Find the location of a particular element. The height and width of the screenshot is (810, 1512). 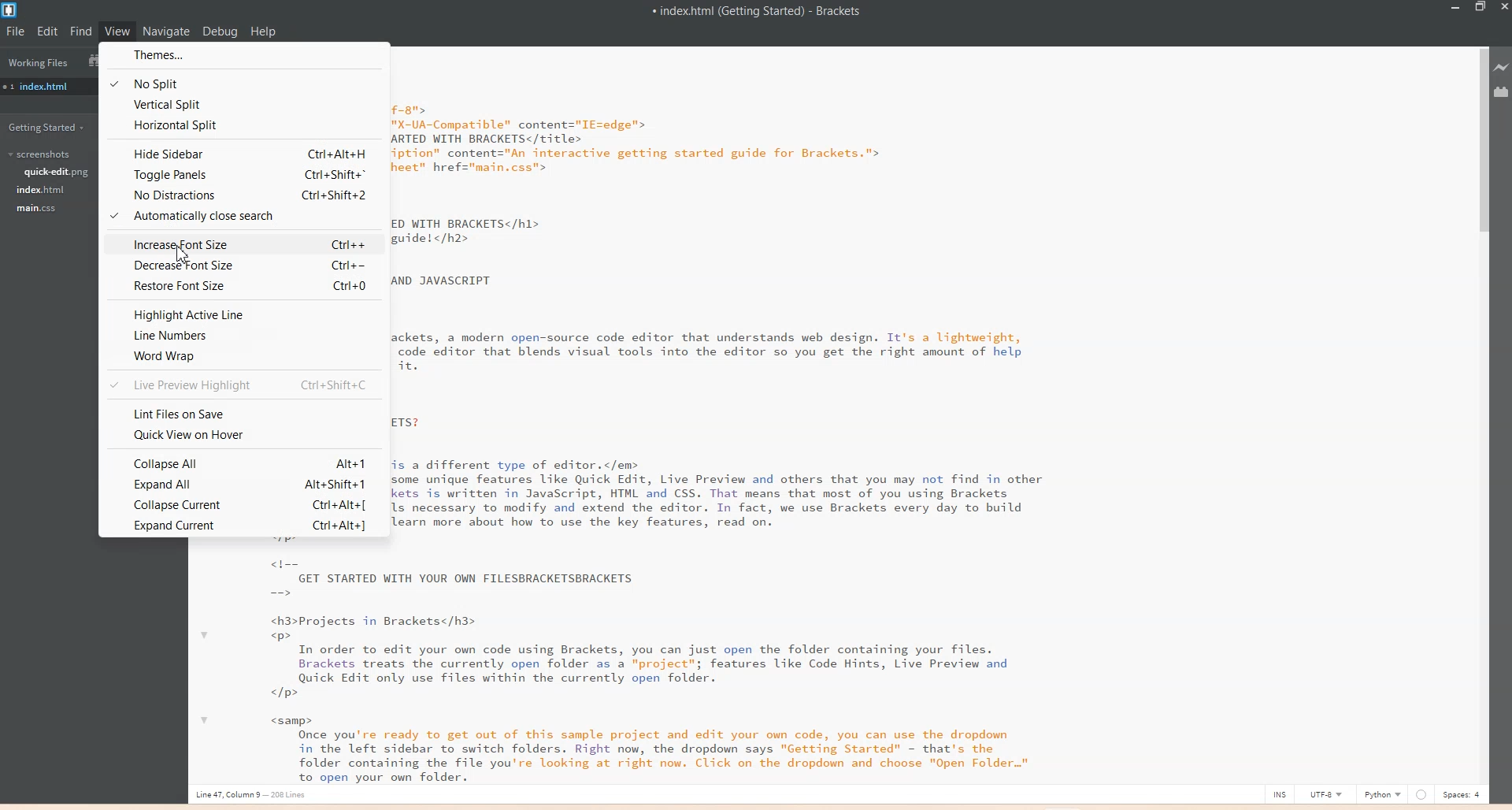

Hide Sidebar is located at coordinates (243, 153).